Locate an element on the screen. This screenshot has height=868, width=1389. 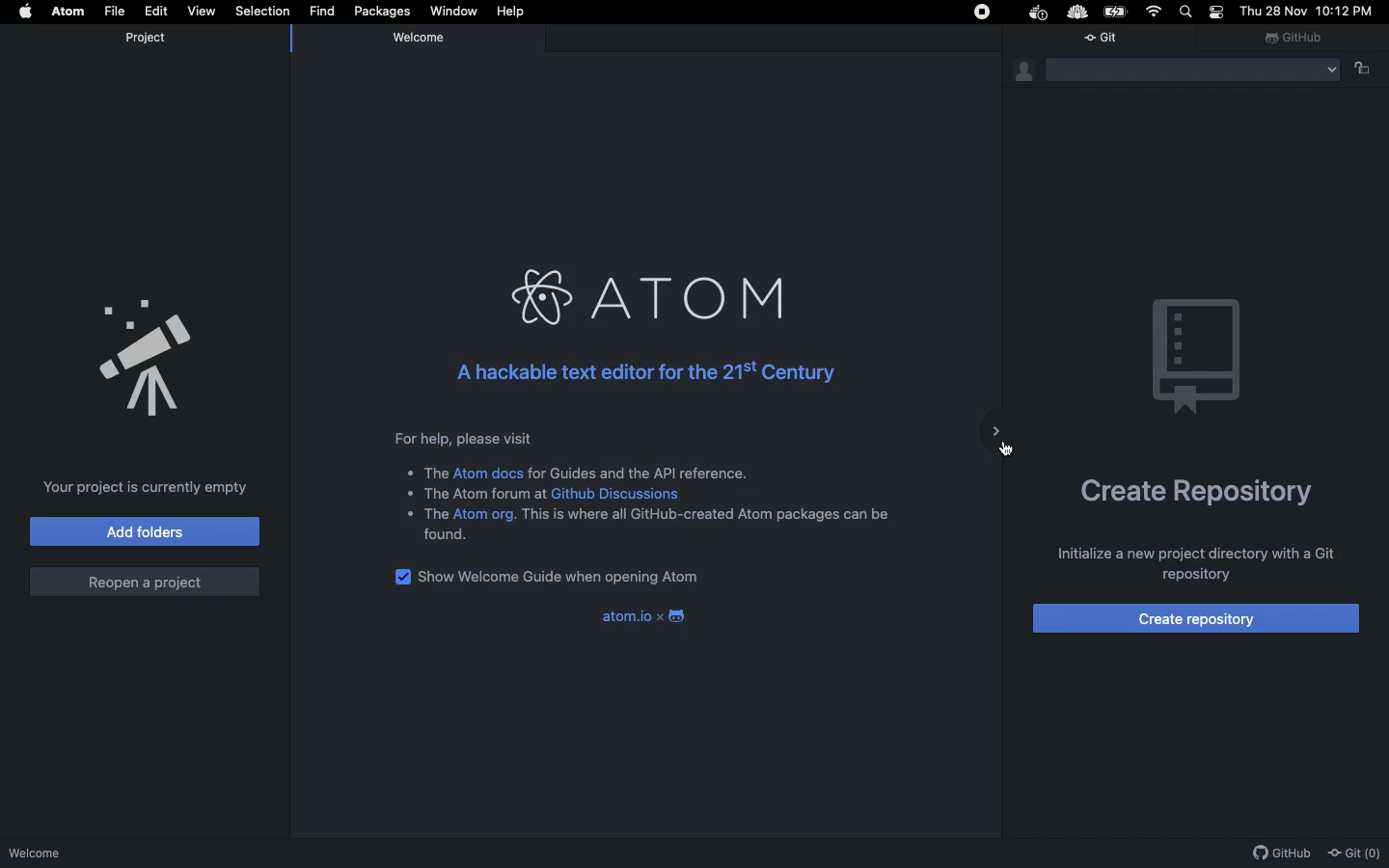
Emblem is located at coordinates (1195, 352).